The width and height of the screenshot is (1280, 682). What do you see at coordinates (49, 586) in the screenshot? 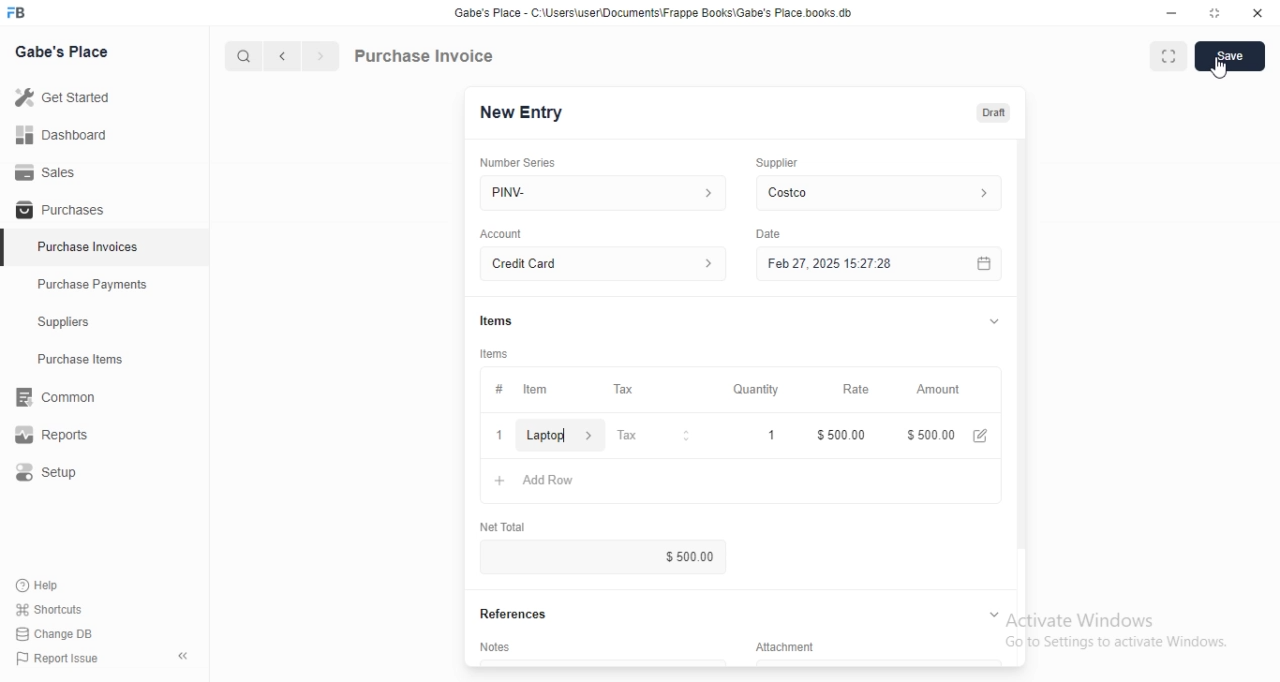
I see `Help` at bounding box center [49, 586].